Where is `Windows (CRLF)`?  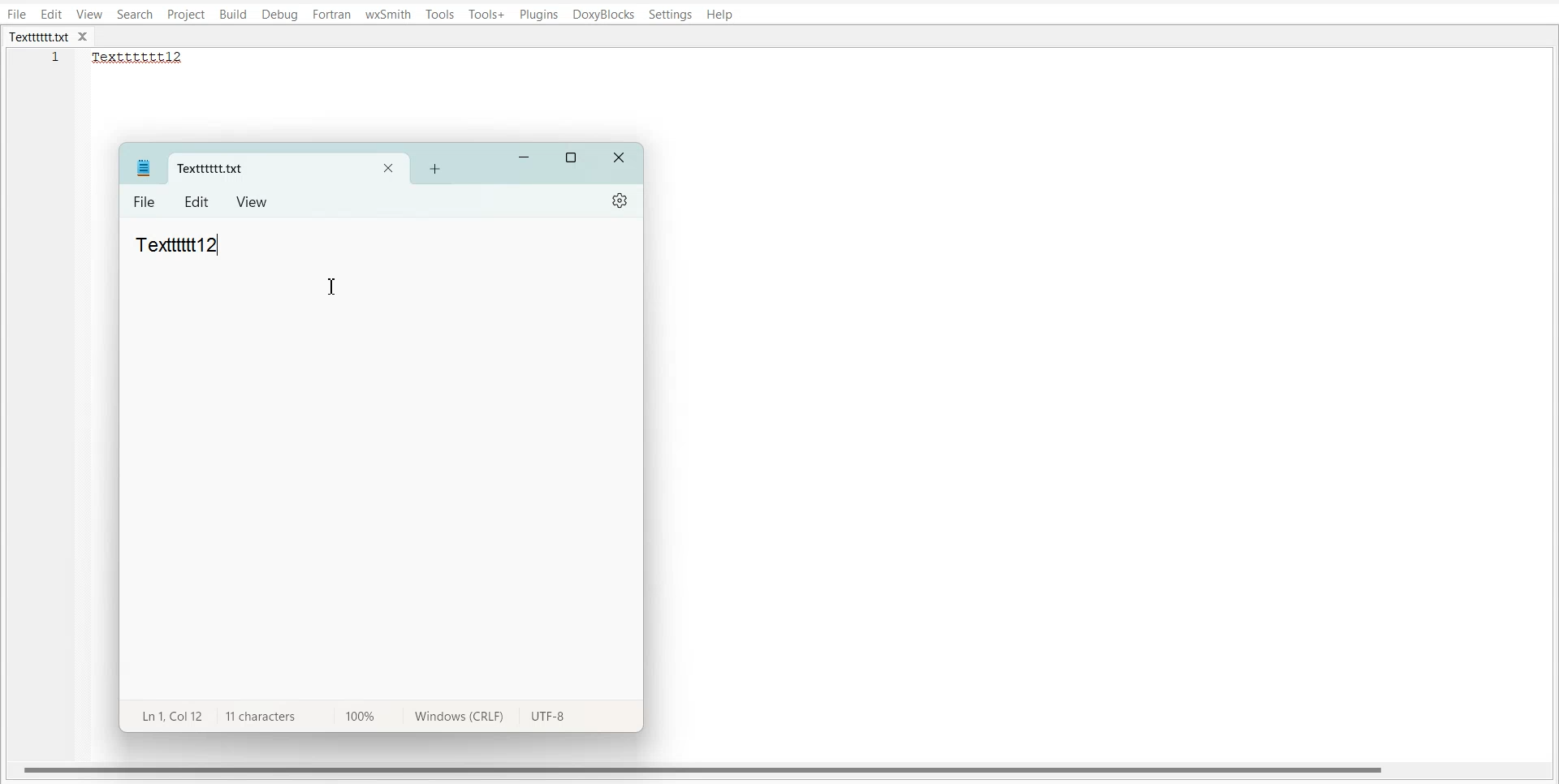 Windows (CRLF) is located at coordinates (456, 719).